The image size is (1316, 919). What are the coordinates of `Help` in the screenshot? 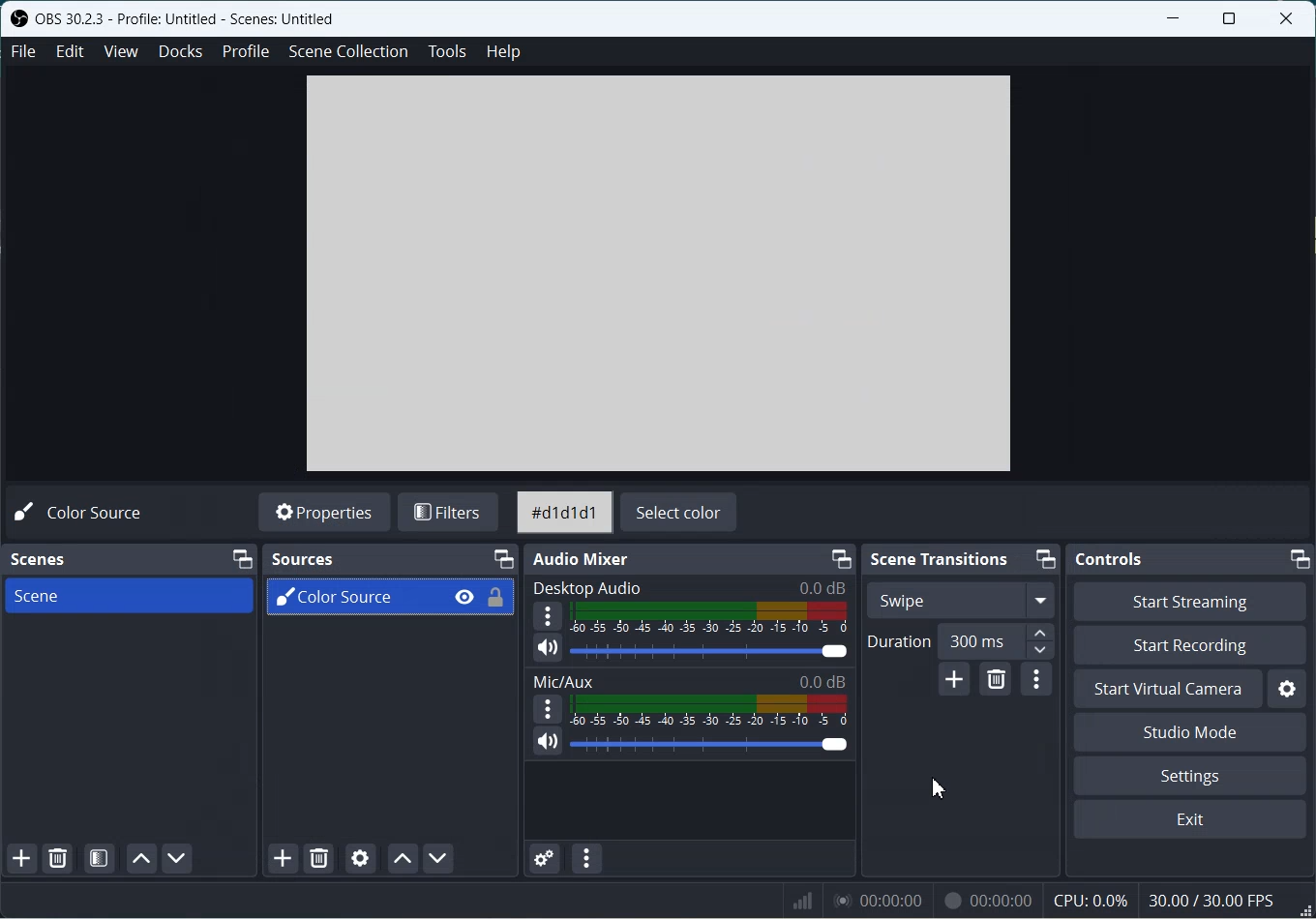 It's located at (503, 52).